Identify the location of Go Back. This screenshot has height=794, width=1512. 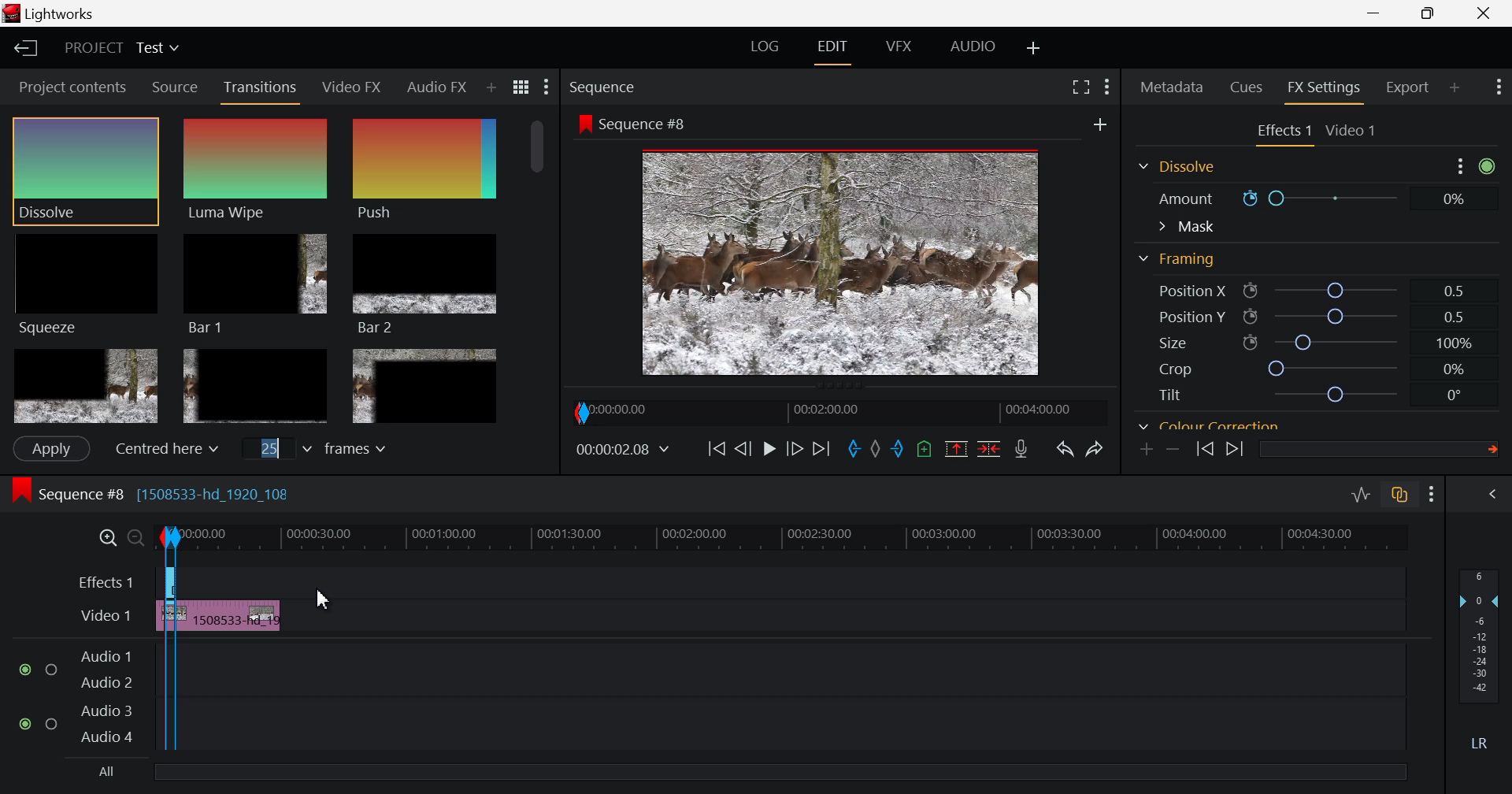
(743, 448).